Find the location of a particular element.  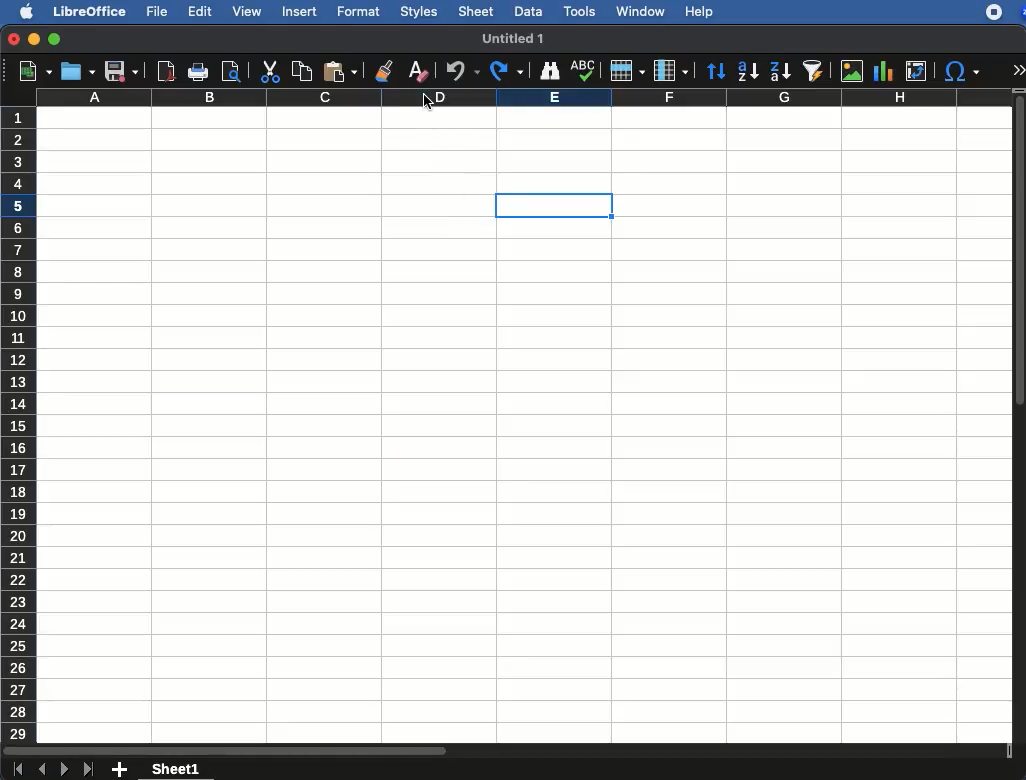

clone formatting is located at coordinates (383, 70).